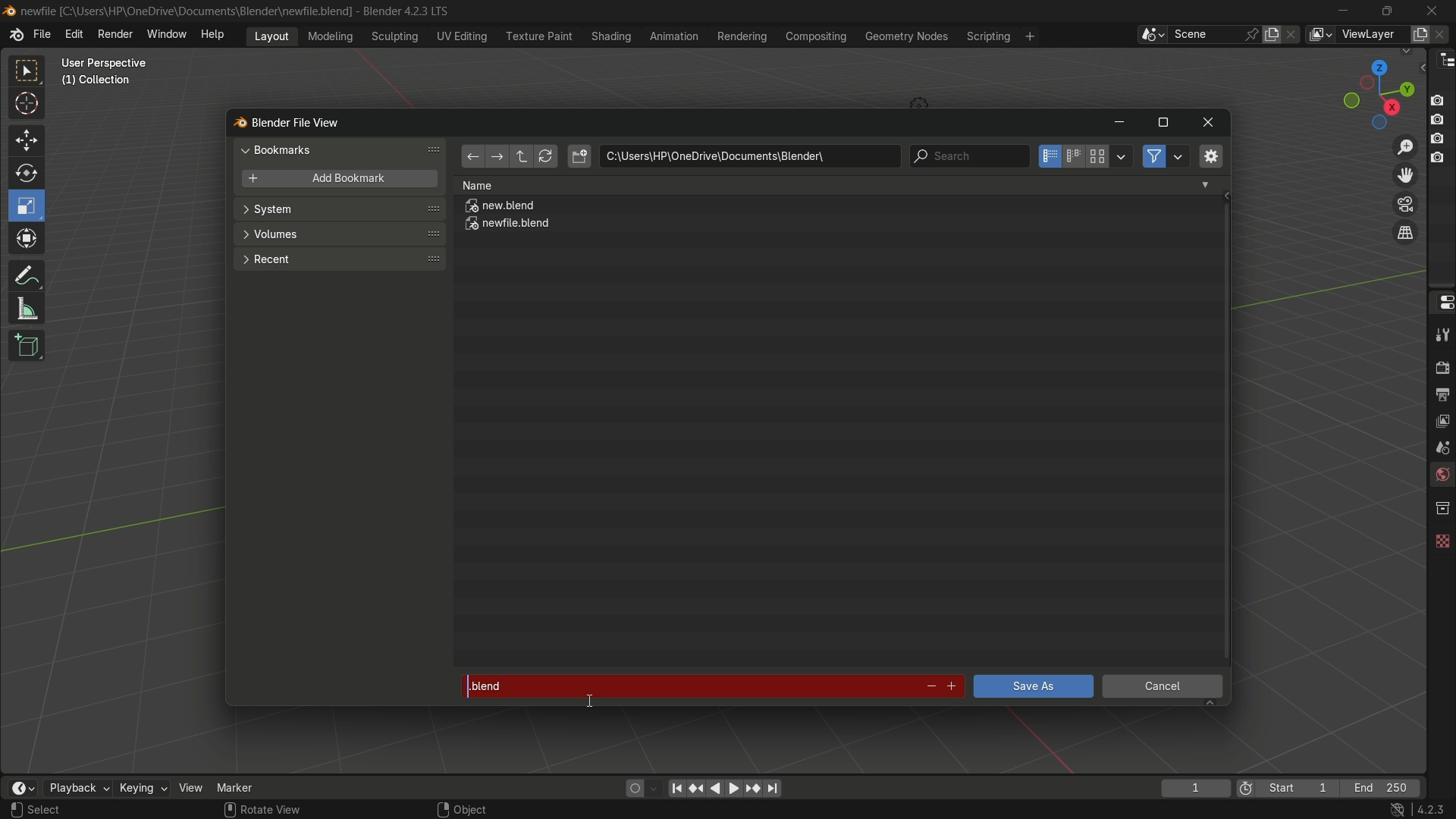 The image size is (1456, 819). Describe the element at coordinates (1163, 123) in the screenshot. I see `maximize or restore` at that location.